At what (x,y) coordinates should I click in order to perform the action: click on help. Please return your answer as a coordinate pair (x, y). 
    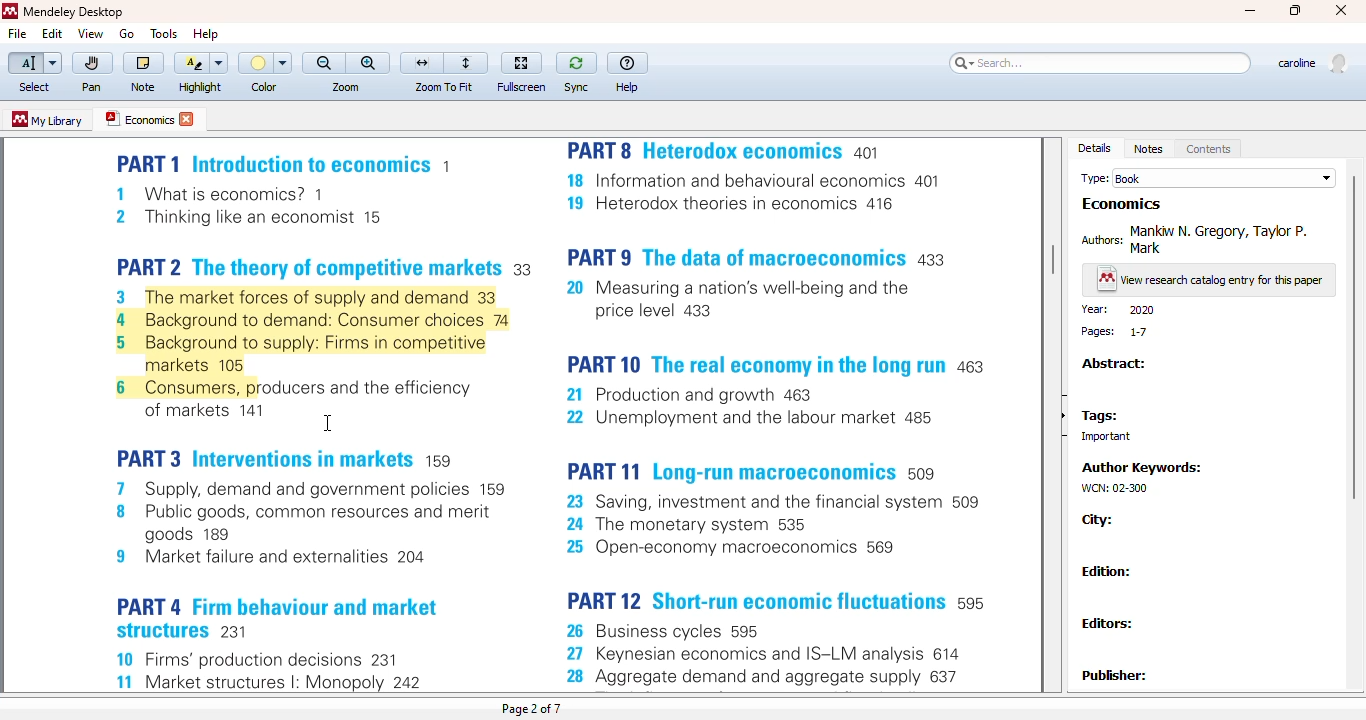
    Looking at the image, I should click on (628, 88).